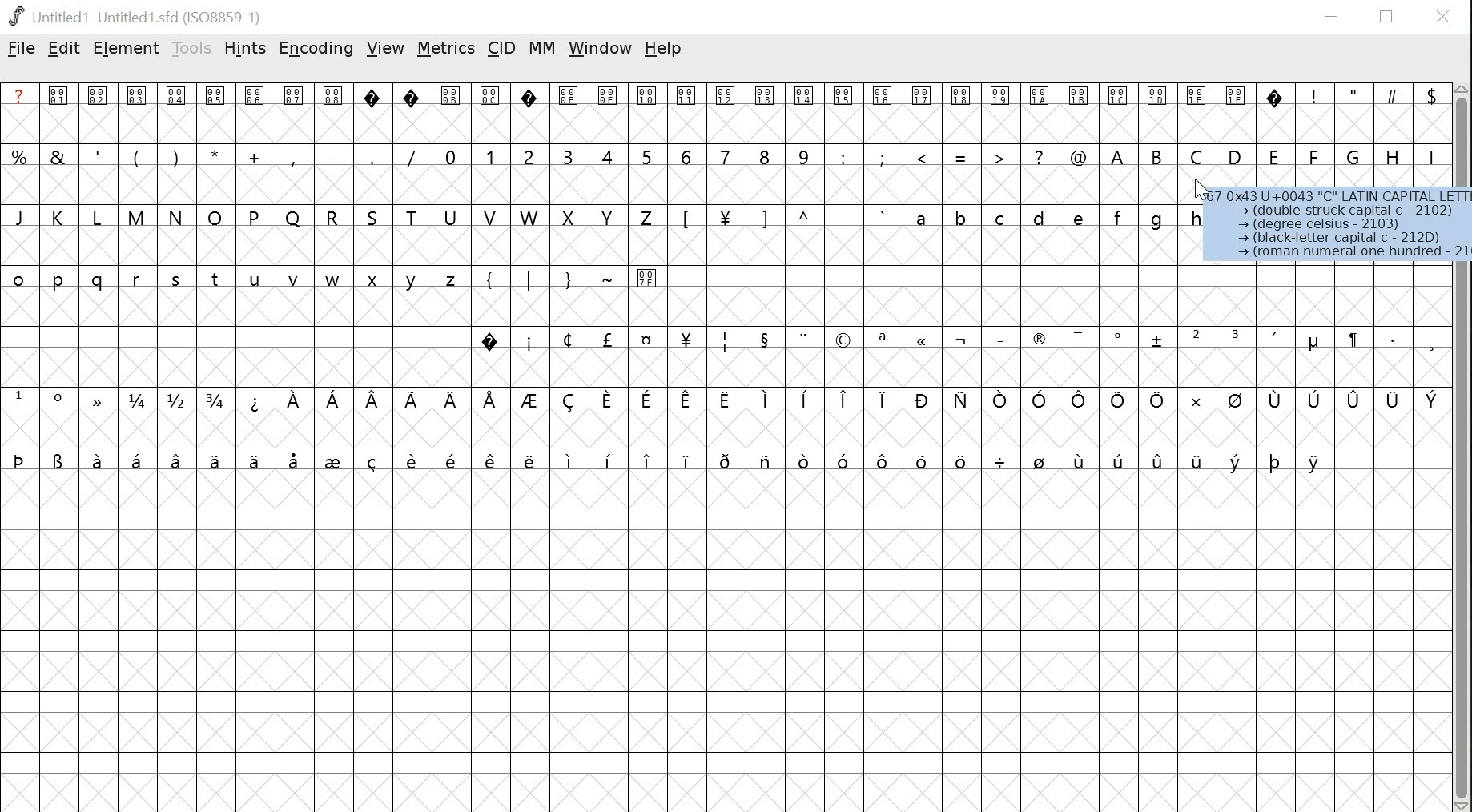  What do you see at coordinates (21, 48) in the screenshot?
I see `file` at bounding box center [21, 48].